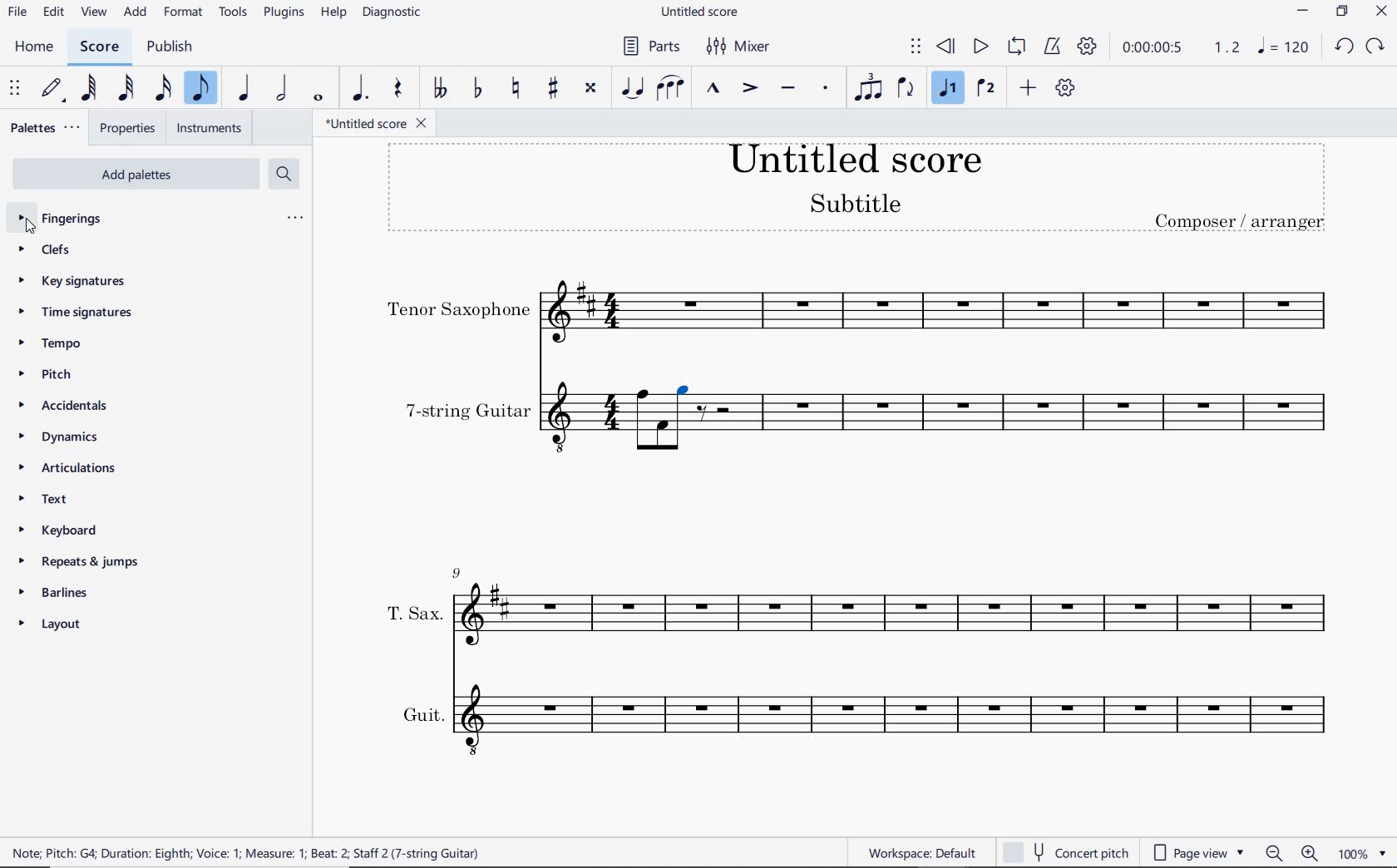  I want to click on FILE NAME, so click(380, 124).